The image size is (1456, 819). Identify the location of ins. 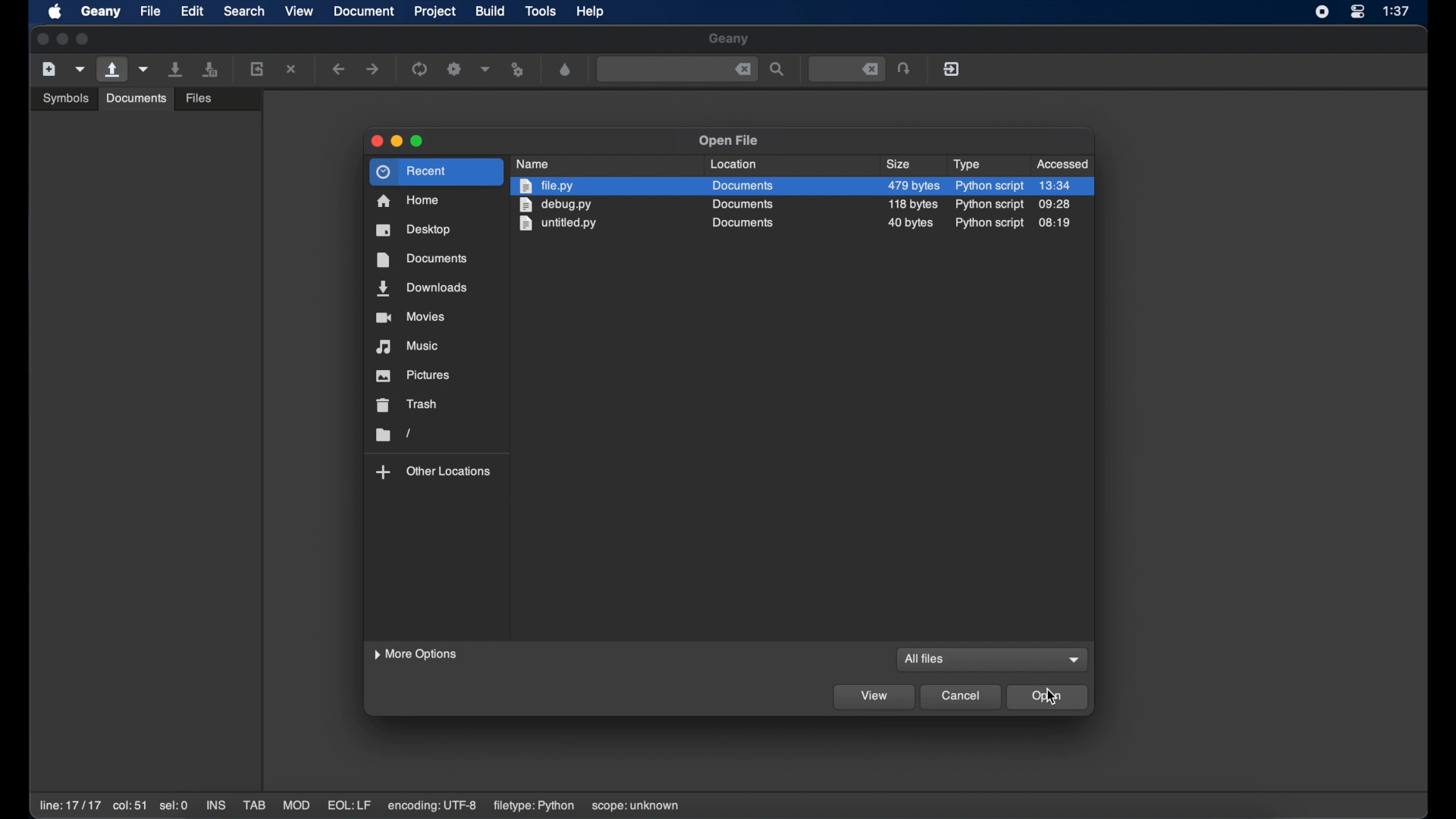
(215, 805).